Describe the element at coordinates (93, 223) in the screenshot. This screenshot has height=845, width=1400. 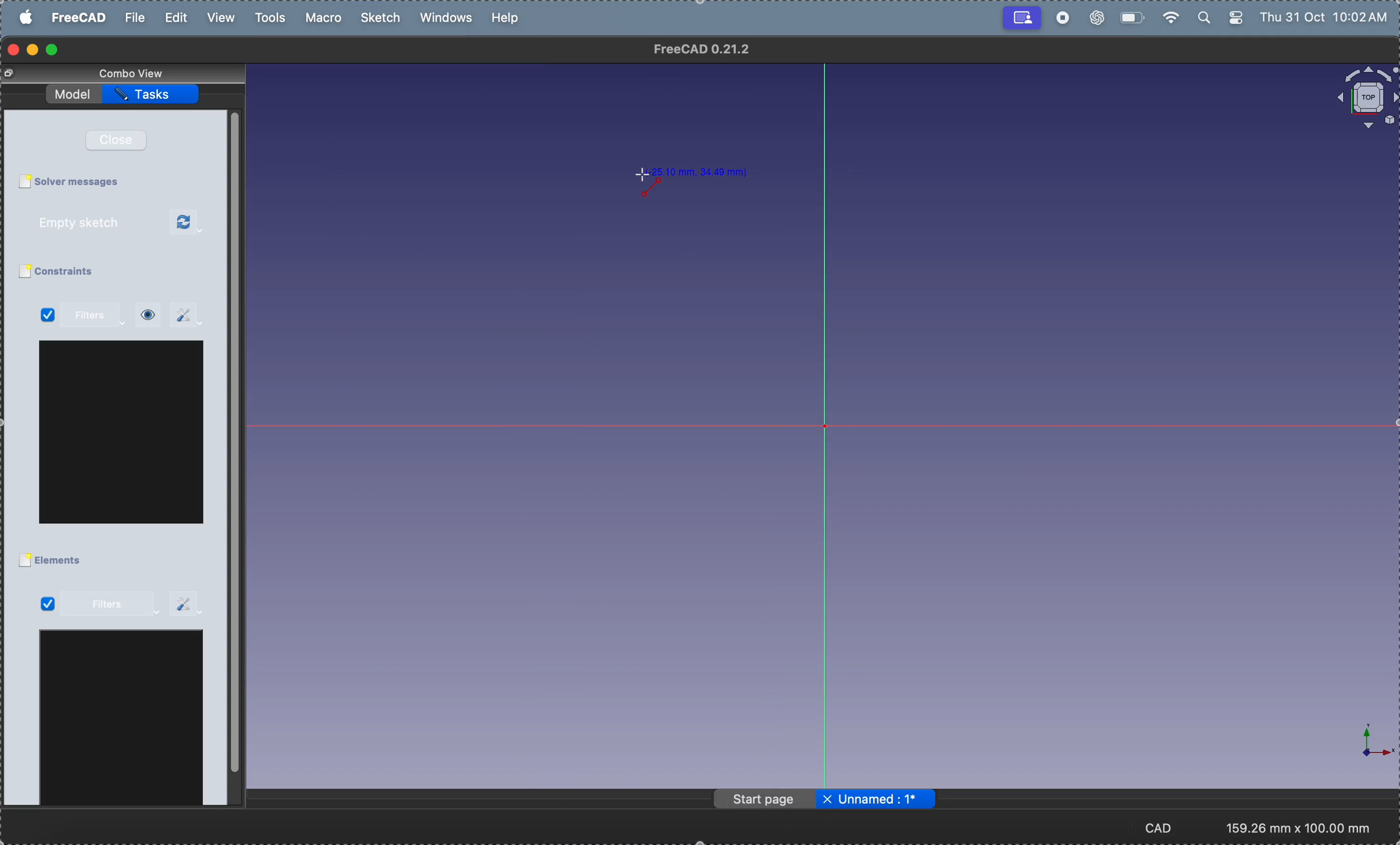
I see `empty sketch` at that location.